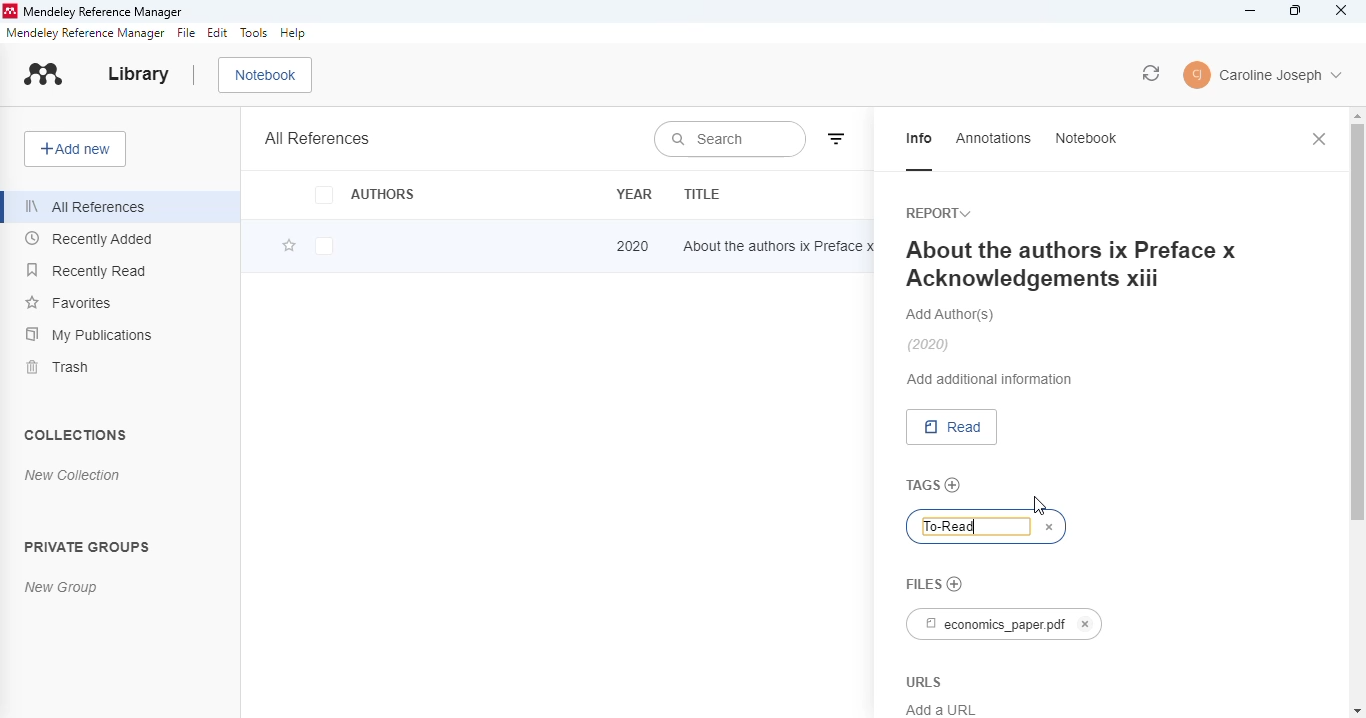  I want to click on logo, so click(44, 75).